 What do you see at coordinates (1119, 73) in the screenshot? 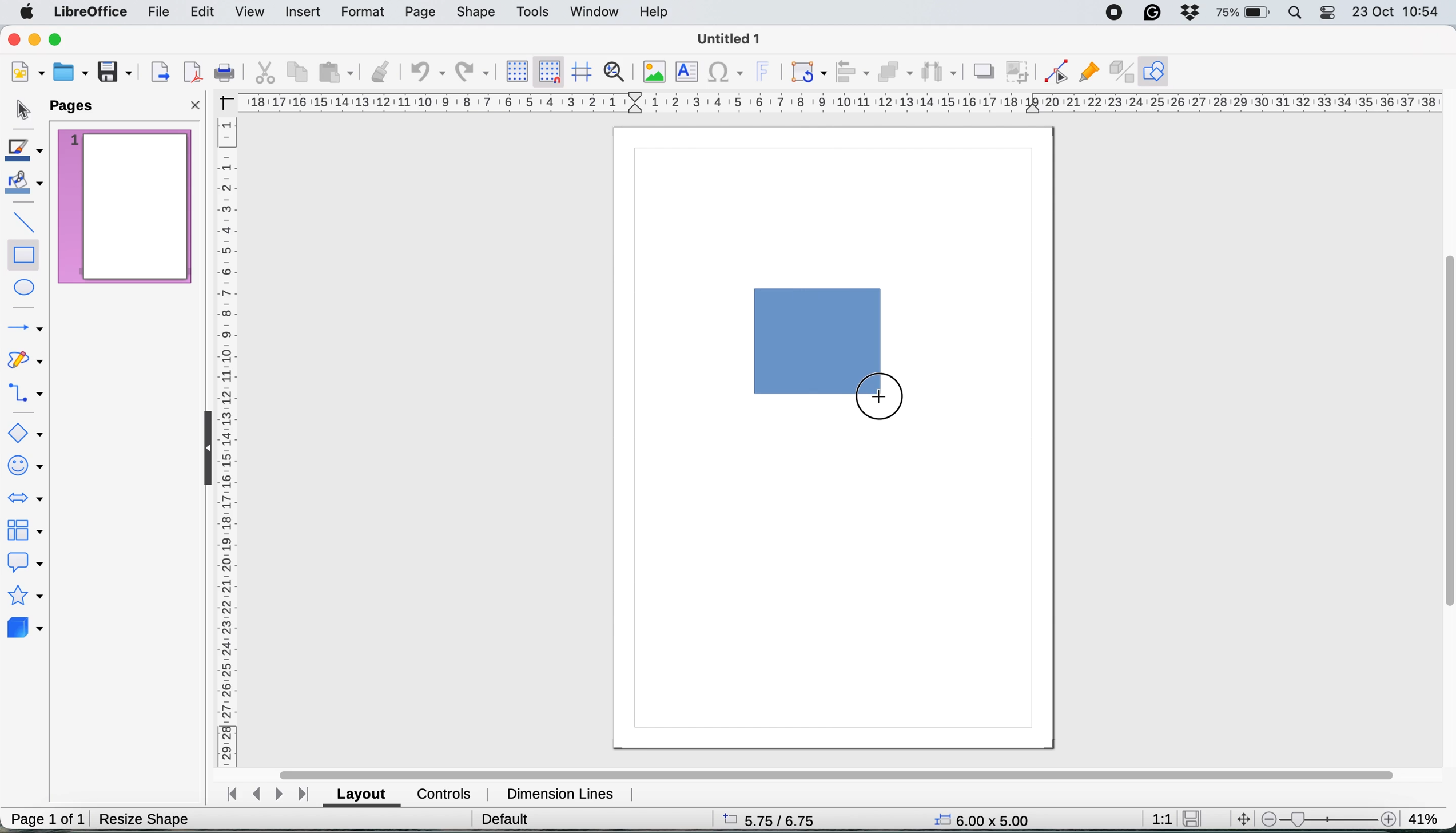
I see `toggle extrusion` at bounding box center [1119, 73].